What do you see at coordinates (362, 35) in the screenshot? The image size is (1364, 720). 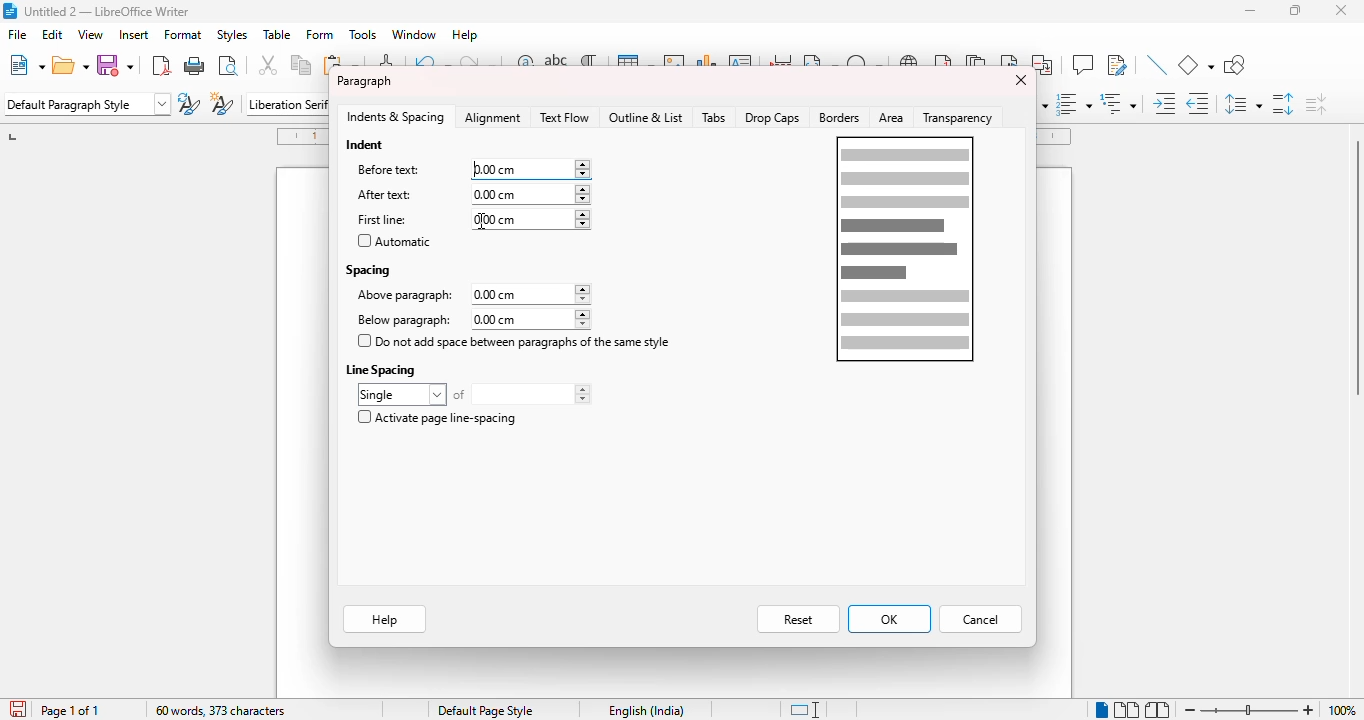 I see `tools` at bounding box center [362, 35].